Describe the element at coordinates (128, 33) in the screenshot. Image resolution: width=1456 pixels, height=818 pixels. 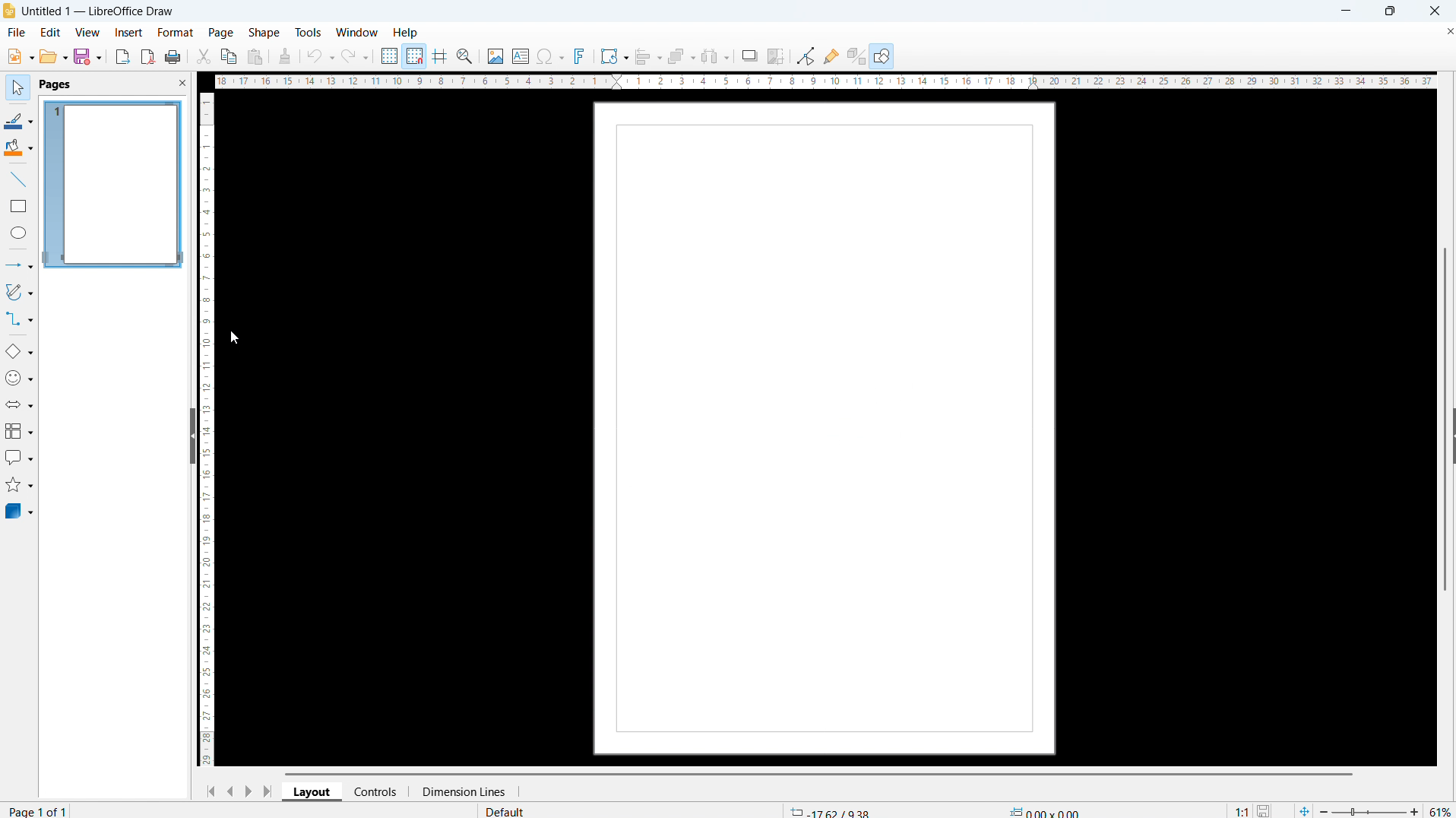
I see `insert` at that location.